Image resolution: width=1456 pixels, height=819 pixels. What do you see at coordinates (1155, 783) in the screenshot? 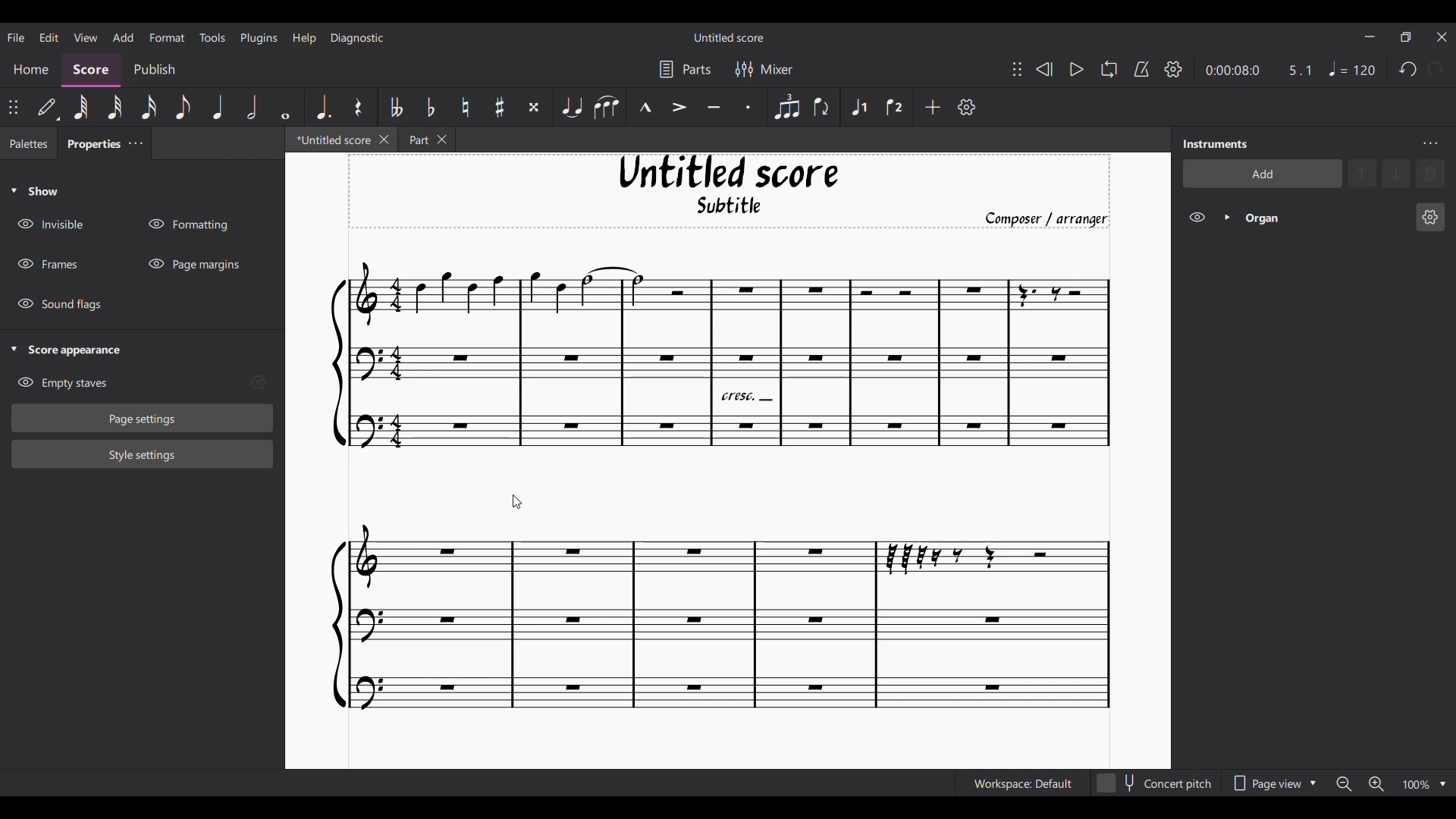
I see `Toggle for Concert pitch` at bounding box center [1155, 783].